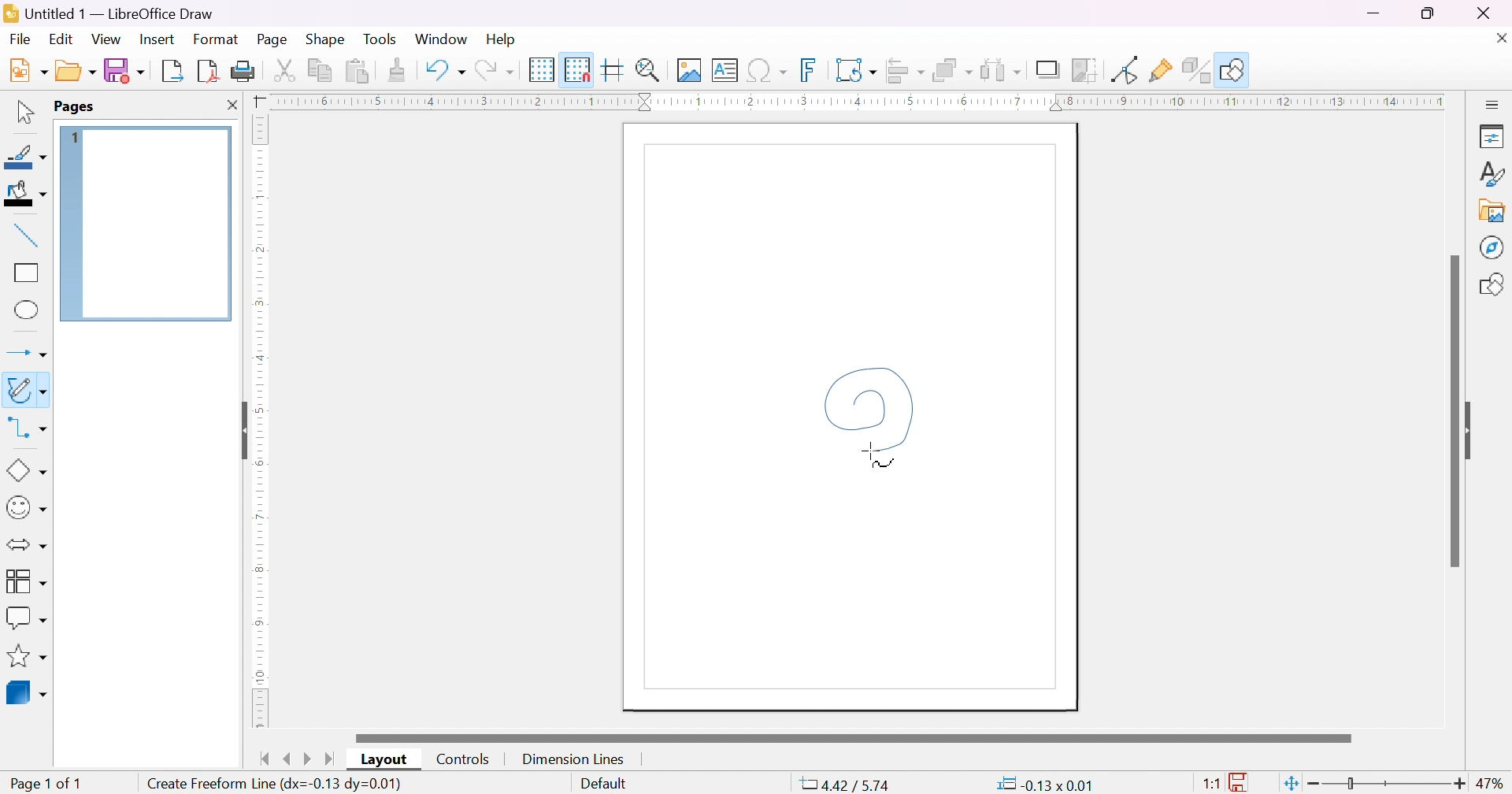  What do you see at coordinates (542, 70) in the screenshot?
I see `display grid` at bounding box center [542, 70].